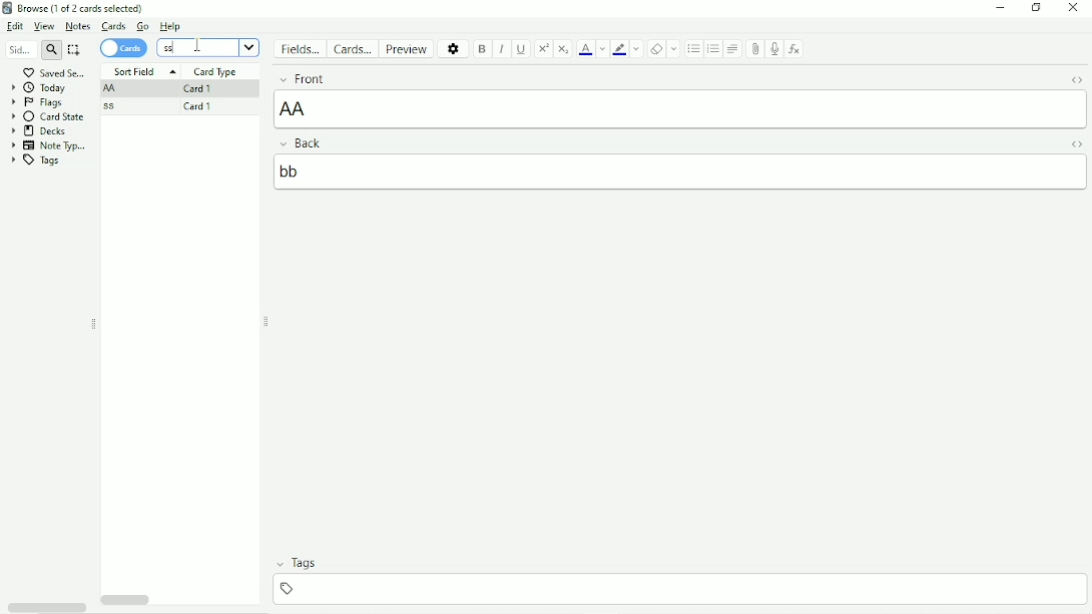  What do you see at coordinates (409, 49) in the screenshot?
I see `Preview` at bounding box center [409, 49].